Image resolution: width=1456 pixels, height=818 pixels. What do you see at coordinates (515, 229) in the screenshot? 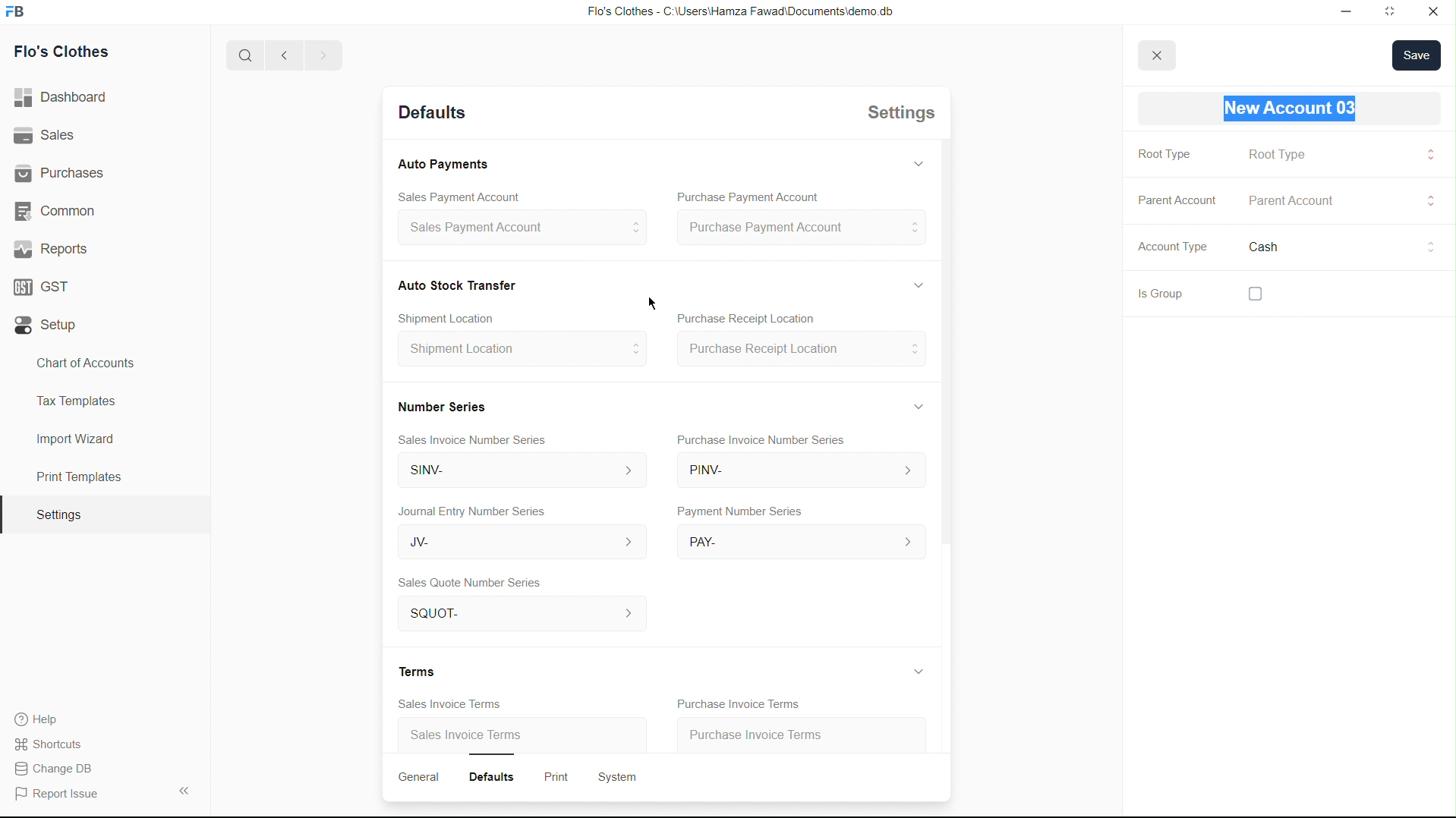
I see `sales Payment Account` at bounding box center [515, 229].